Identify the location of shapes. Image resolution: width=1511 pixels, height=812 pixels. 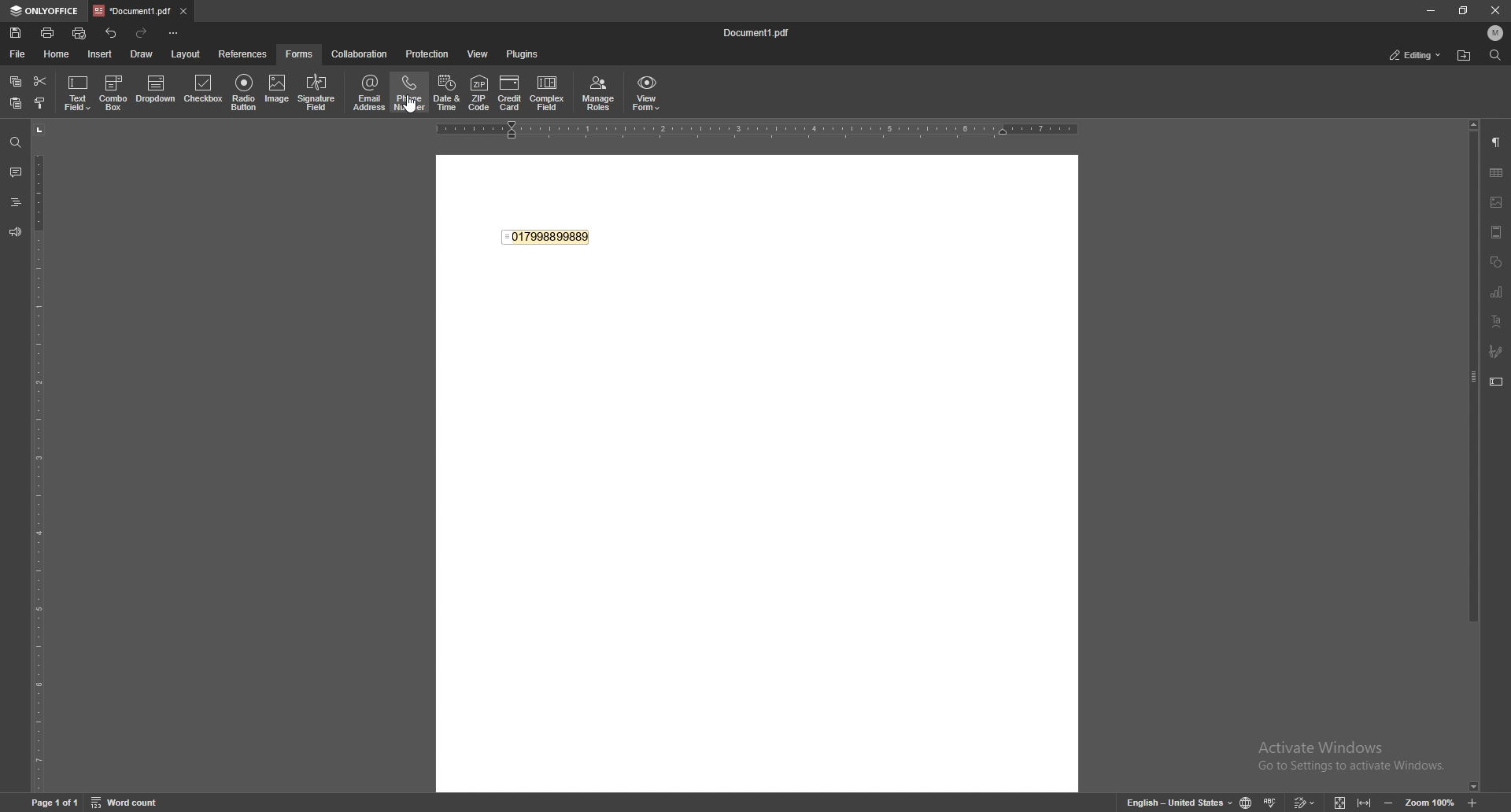
(1498, 260).